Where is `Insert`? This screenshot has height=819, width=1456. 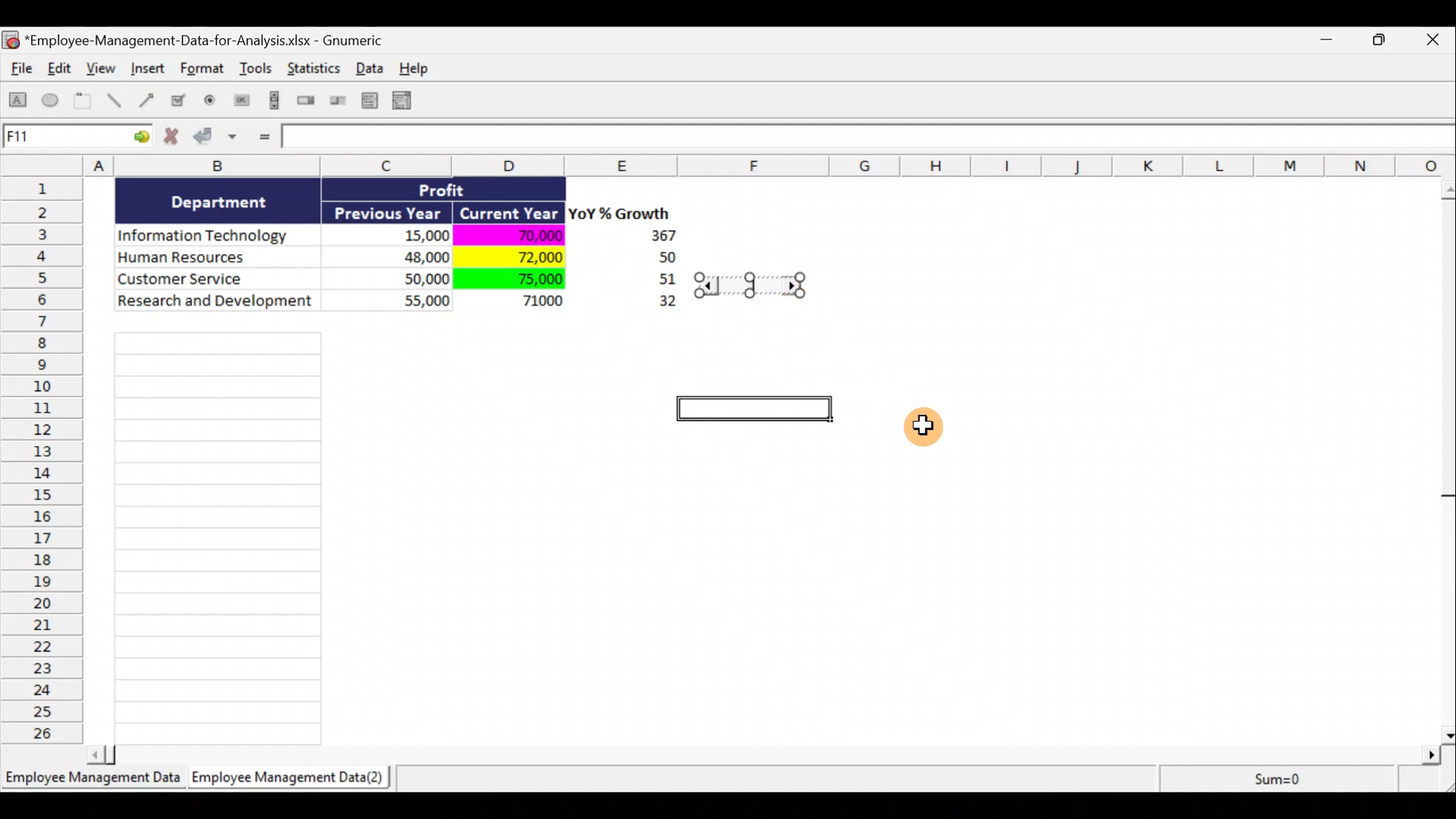 Insert is located at coordinates (147, 71).